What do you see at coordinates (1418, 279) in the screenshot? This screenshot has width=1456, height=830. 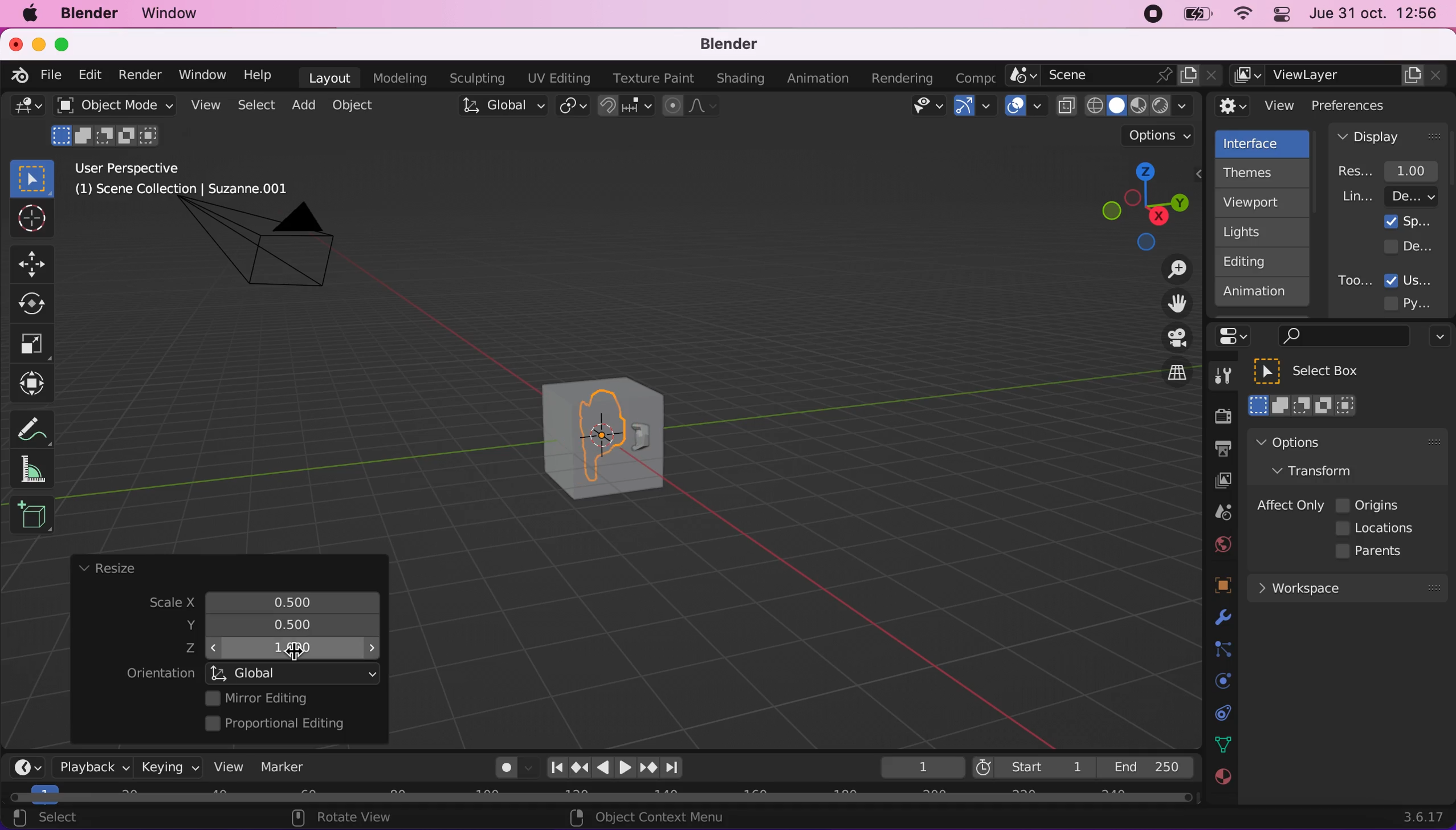 I see `user tooltips` at bounding box center [1418, 279].